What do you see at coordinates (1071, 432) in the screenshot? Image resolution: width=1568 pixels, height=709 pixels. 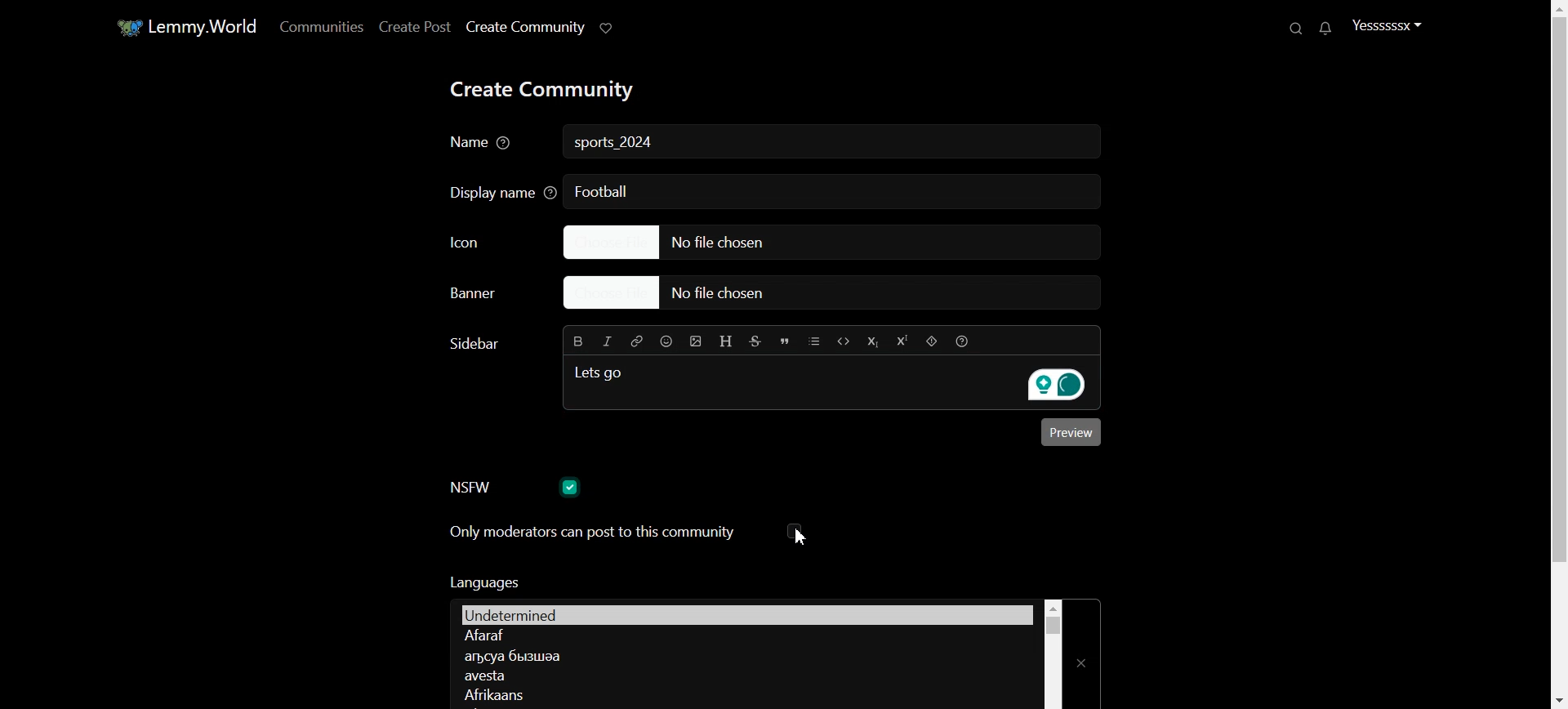 I see `Preview` at bounding box center [1071, 432].